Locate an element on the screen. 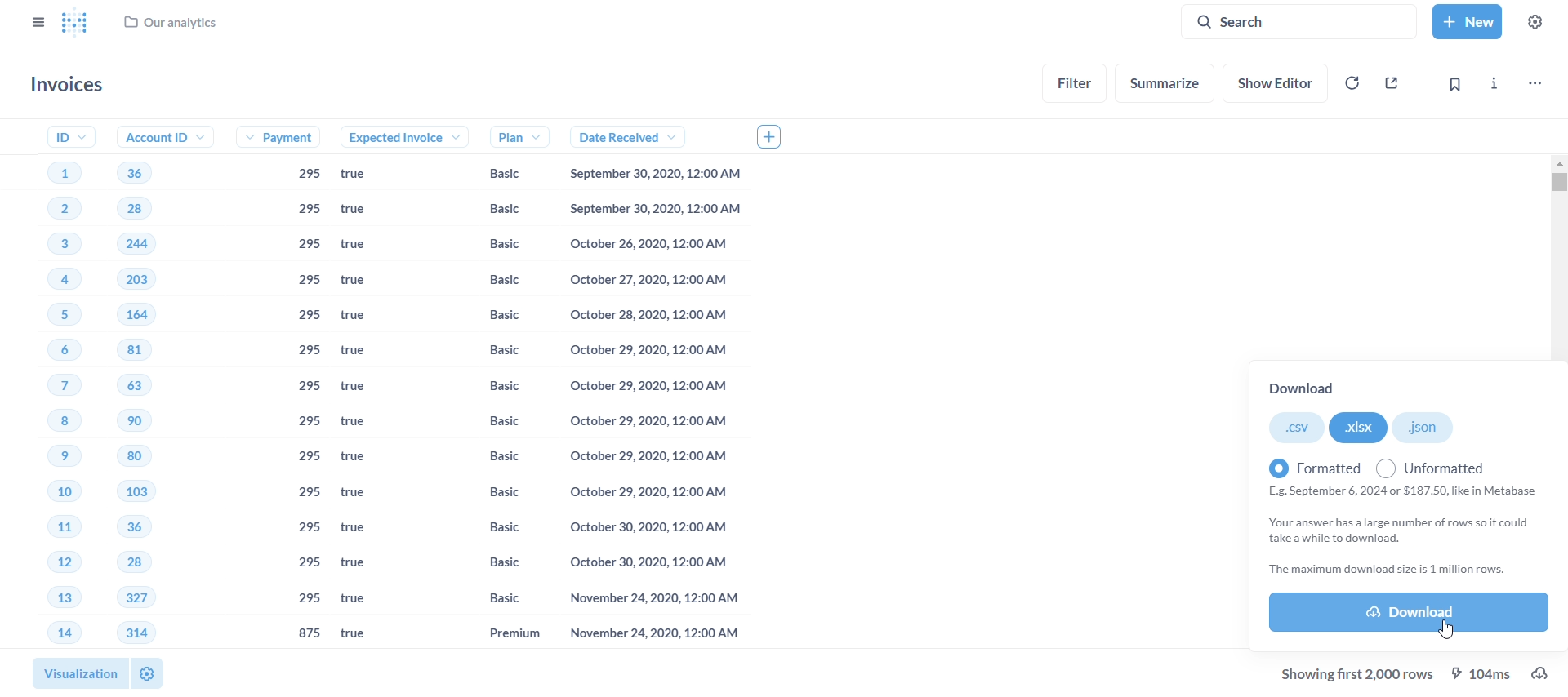  date received is located at coordinates (618, 137).